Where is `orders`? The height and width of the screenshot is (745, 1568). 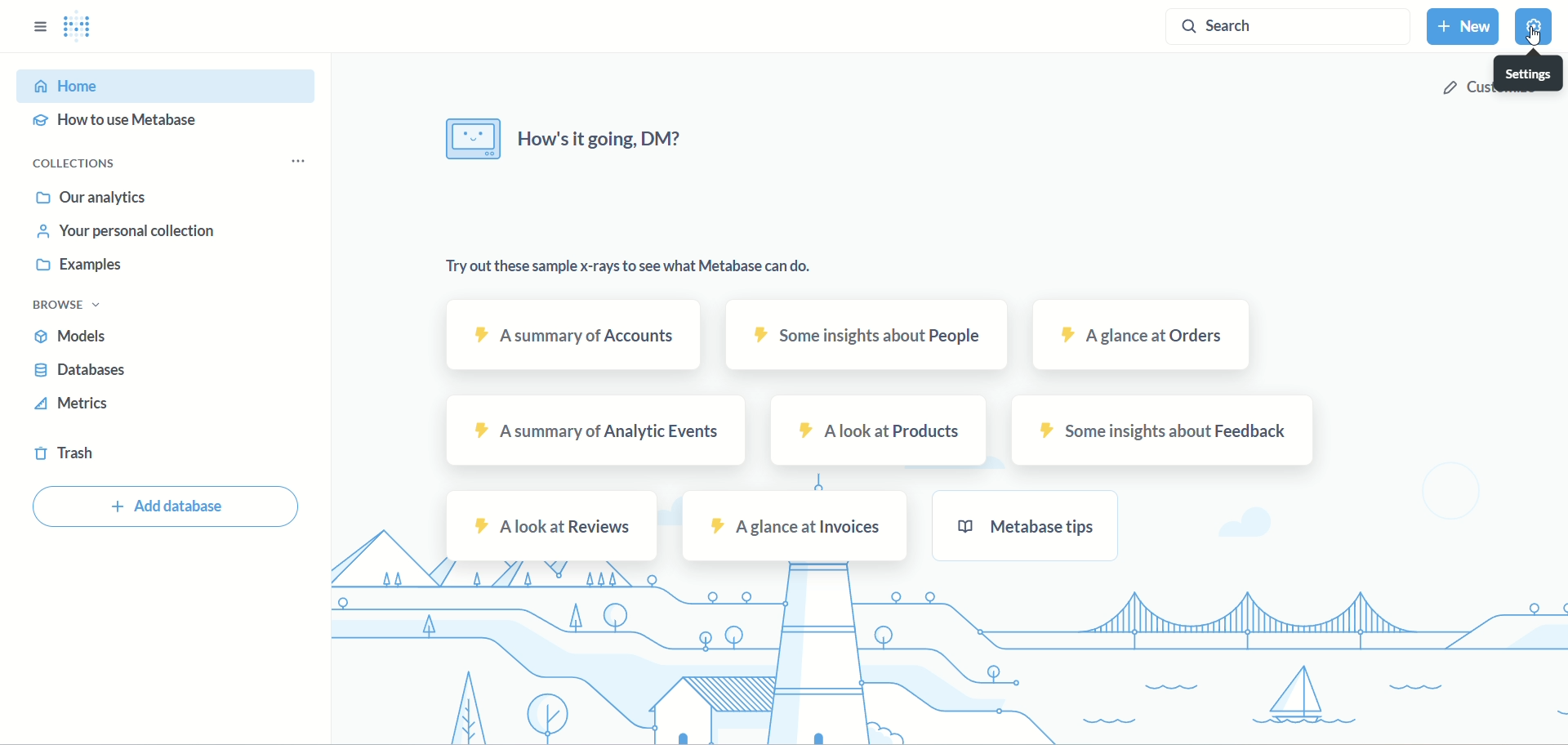
orders is located at coordinates (1140, 335).